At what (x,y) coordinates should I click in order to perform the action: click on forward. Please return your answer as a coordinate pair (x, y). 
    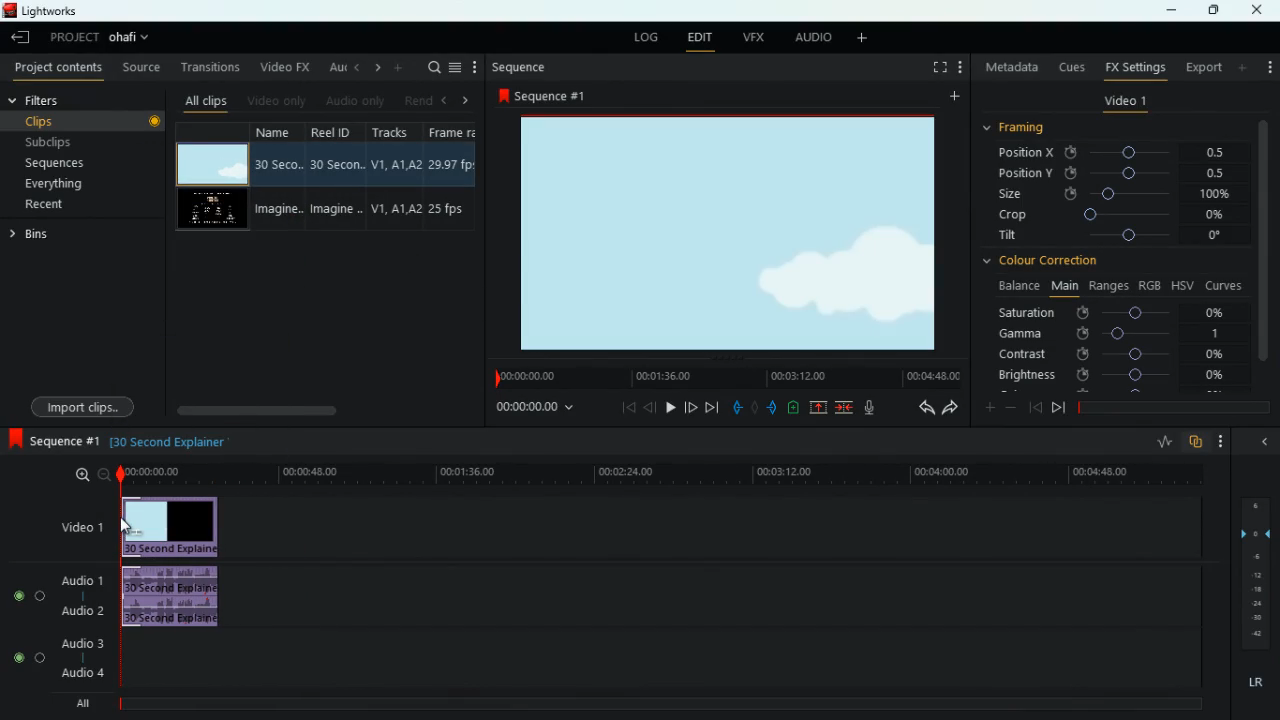
    Looking at the image, I should click on (1058, 410).